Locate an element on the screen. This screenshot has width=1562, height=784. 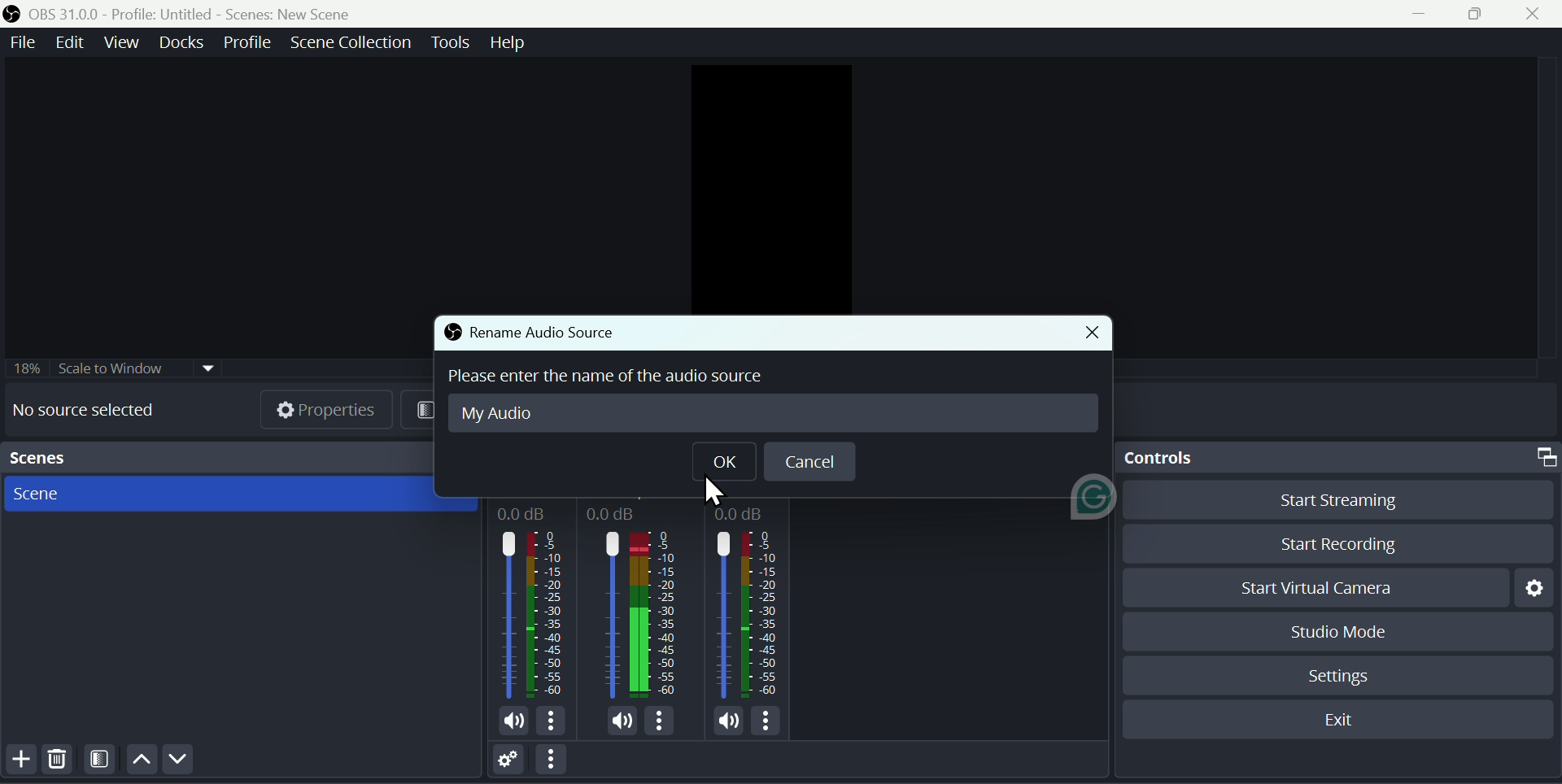
Start virtual camera is located at coordinates (1315, 585).